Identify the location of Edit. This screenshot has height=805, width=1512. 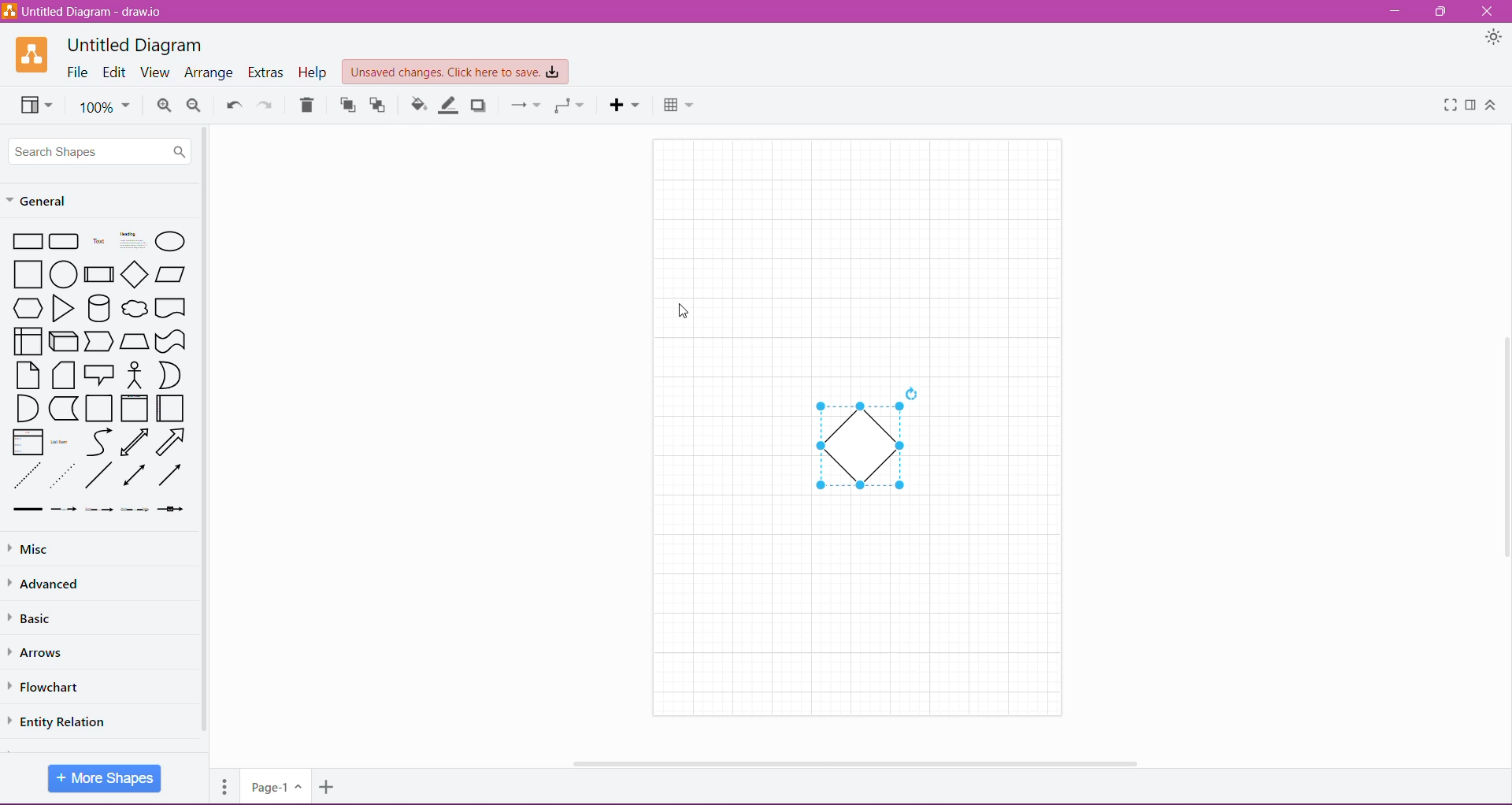
(117, 72).